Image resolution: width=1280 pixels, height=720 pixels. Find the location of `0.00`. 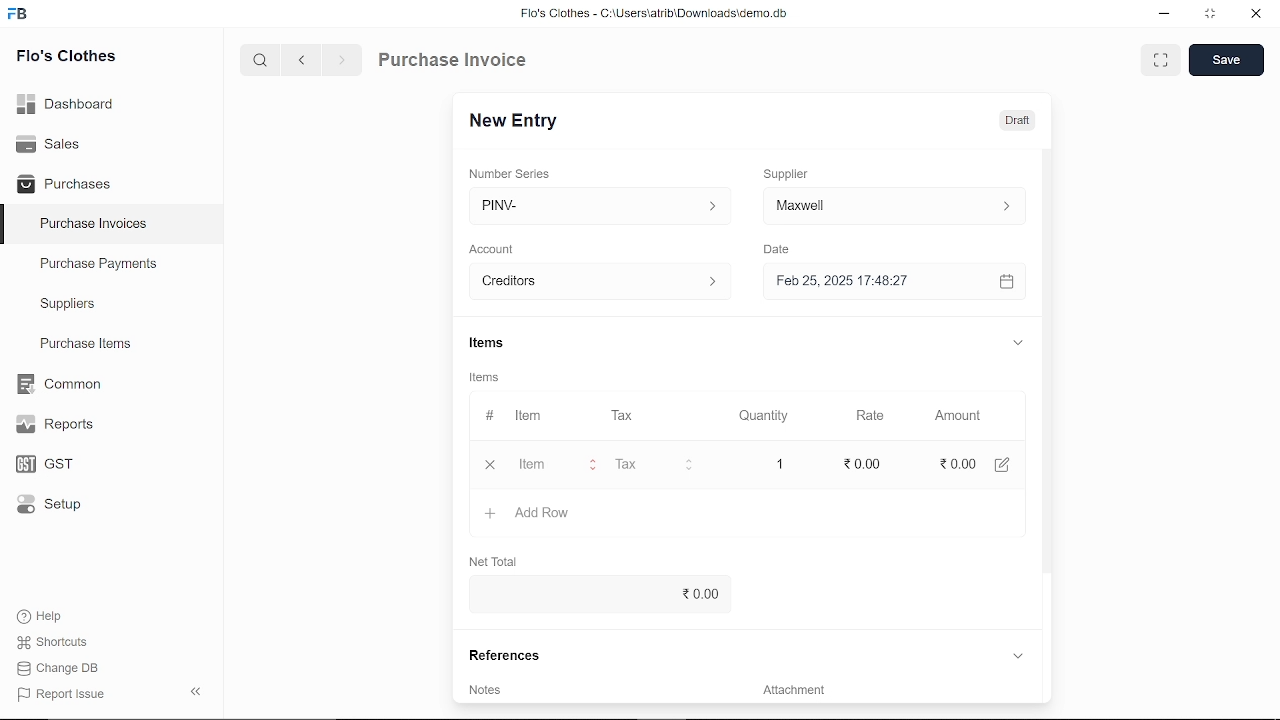

0.00 is located at coordinates (864, 465).